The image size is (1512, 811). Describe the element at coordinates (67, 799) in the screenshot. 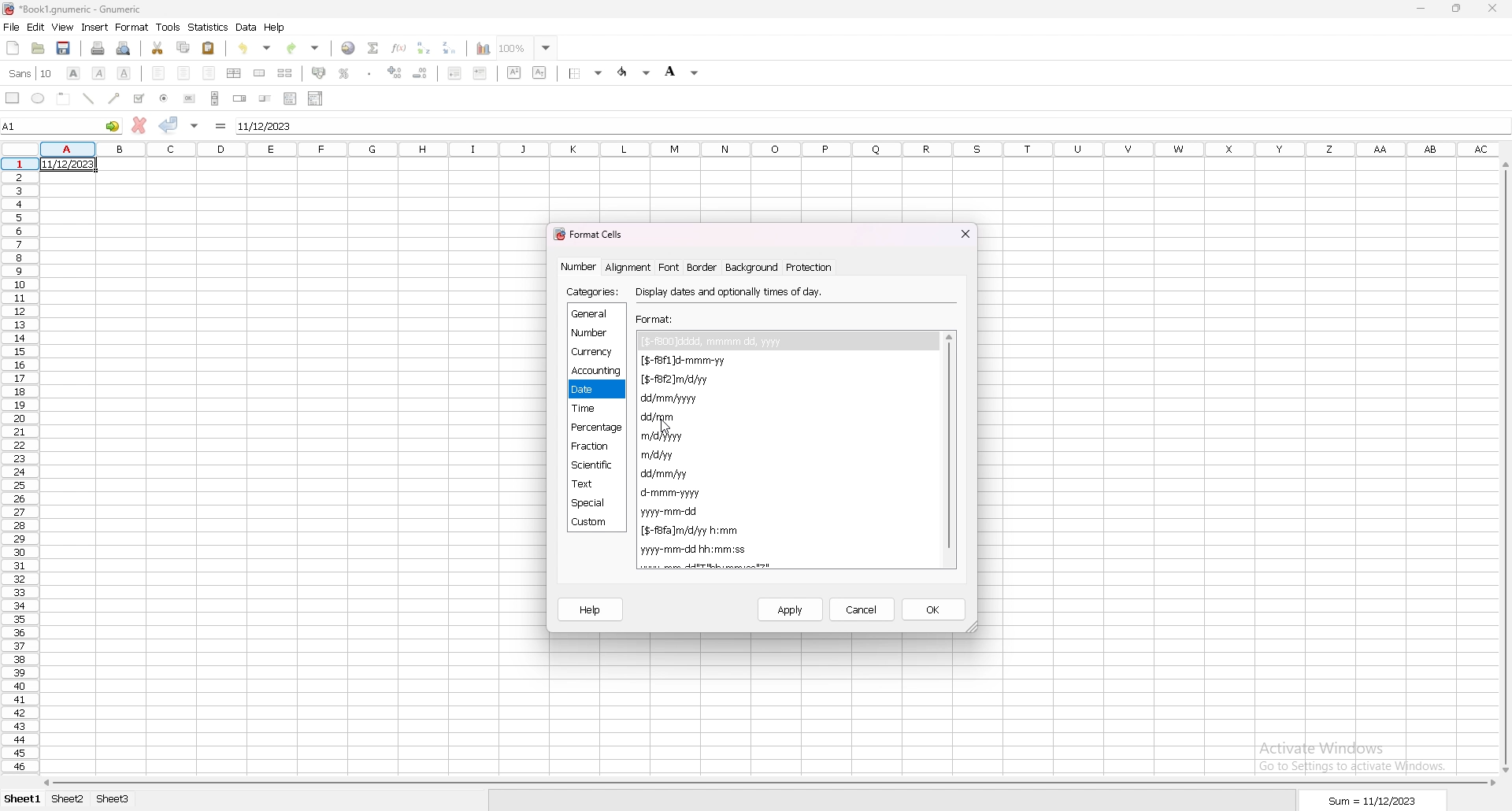

I see `sheet 2` at that location.